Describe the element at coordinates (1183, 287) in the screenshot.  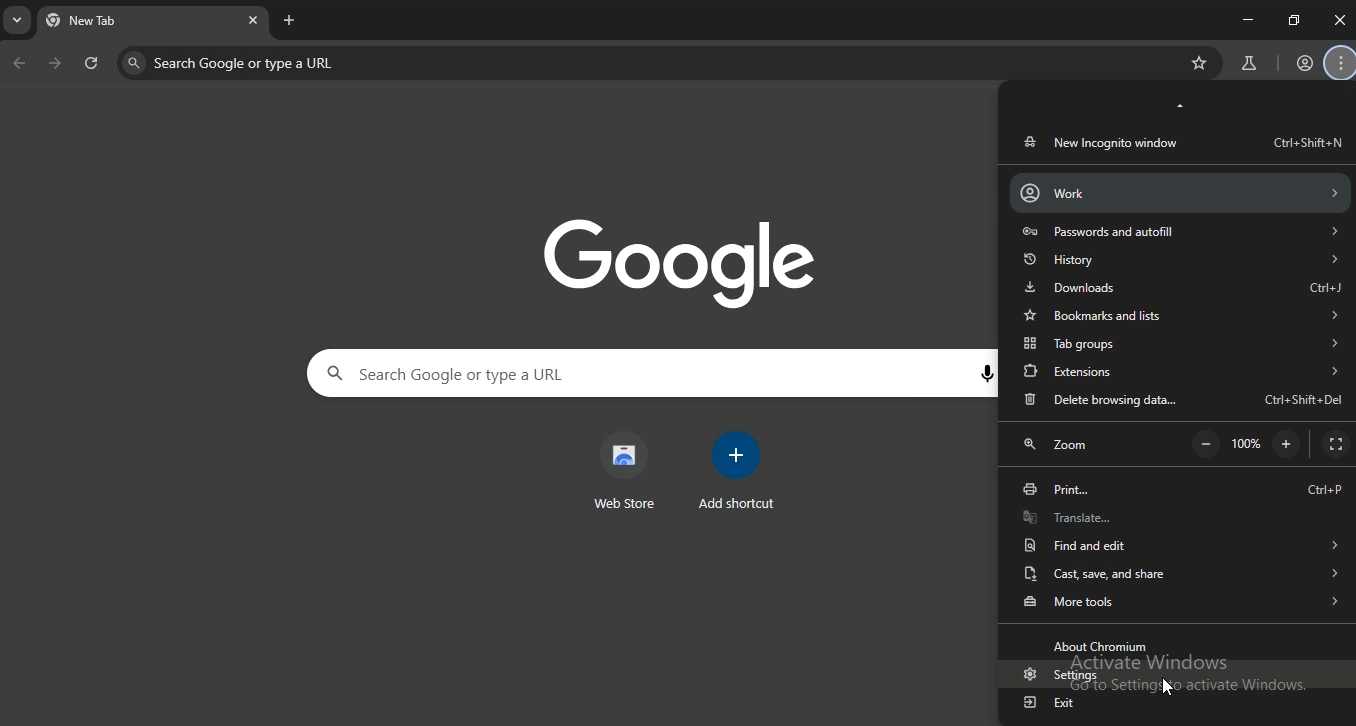
I see `downloads` at that location.